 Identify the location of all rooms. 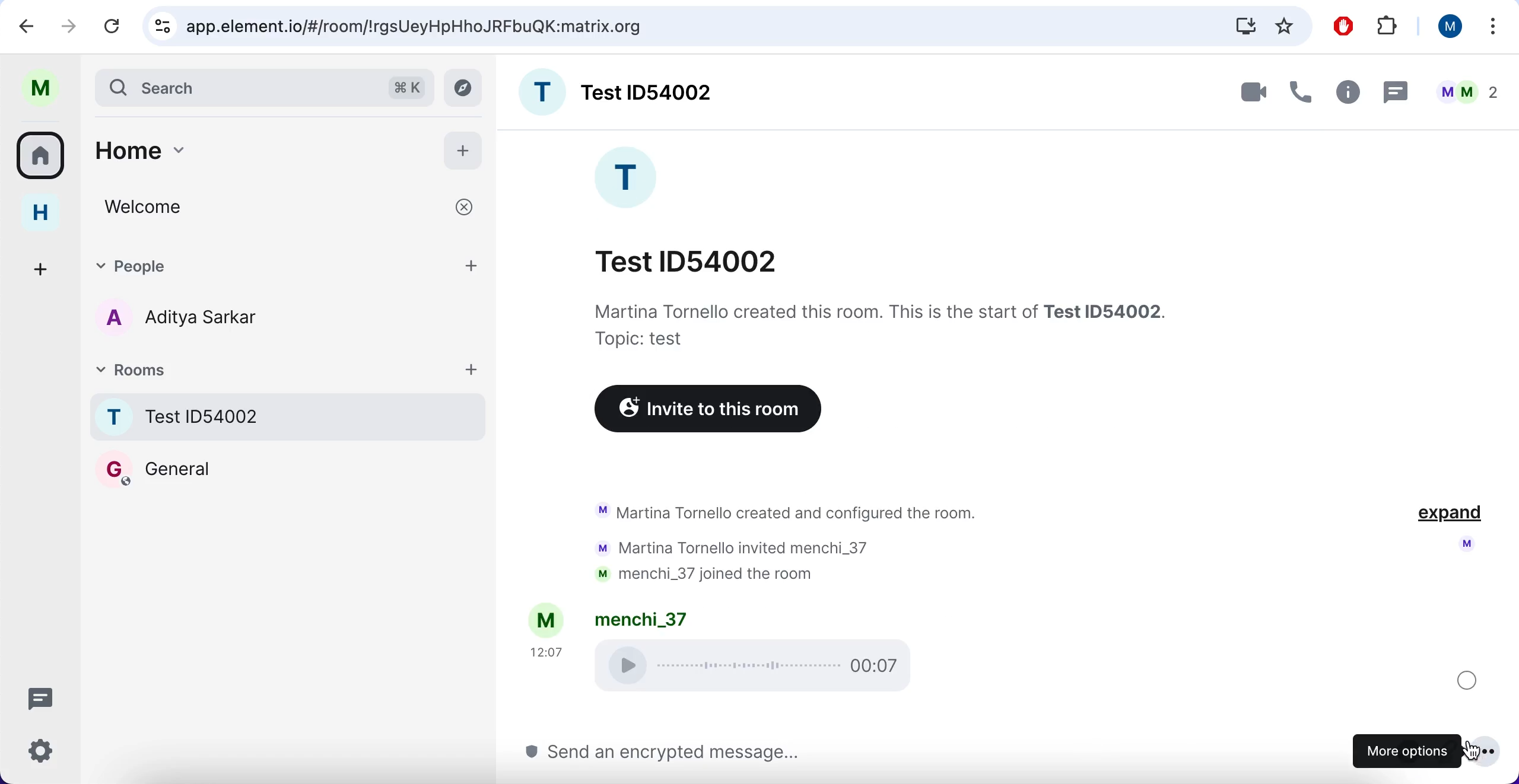
(42, 160).